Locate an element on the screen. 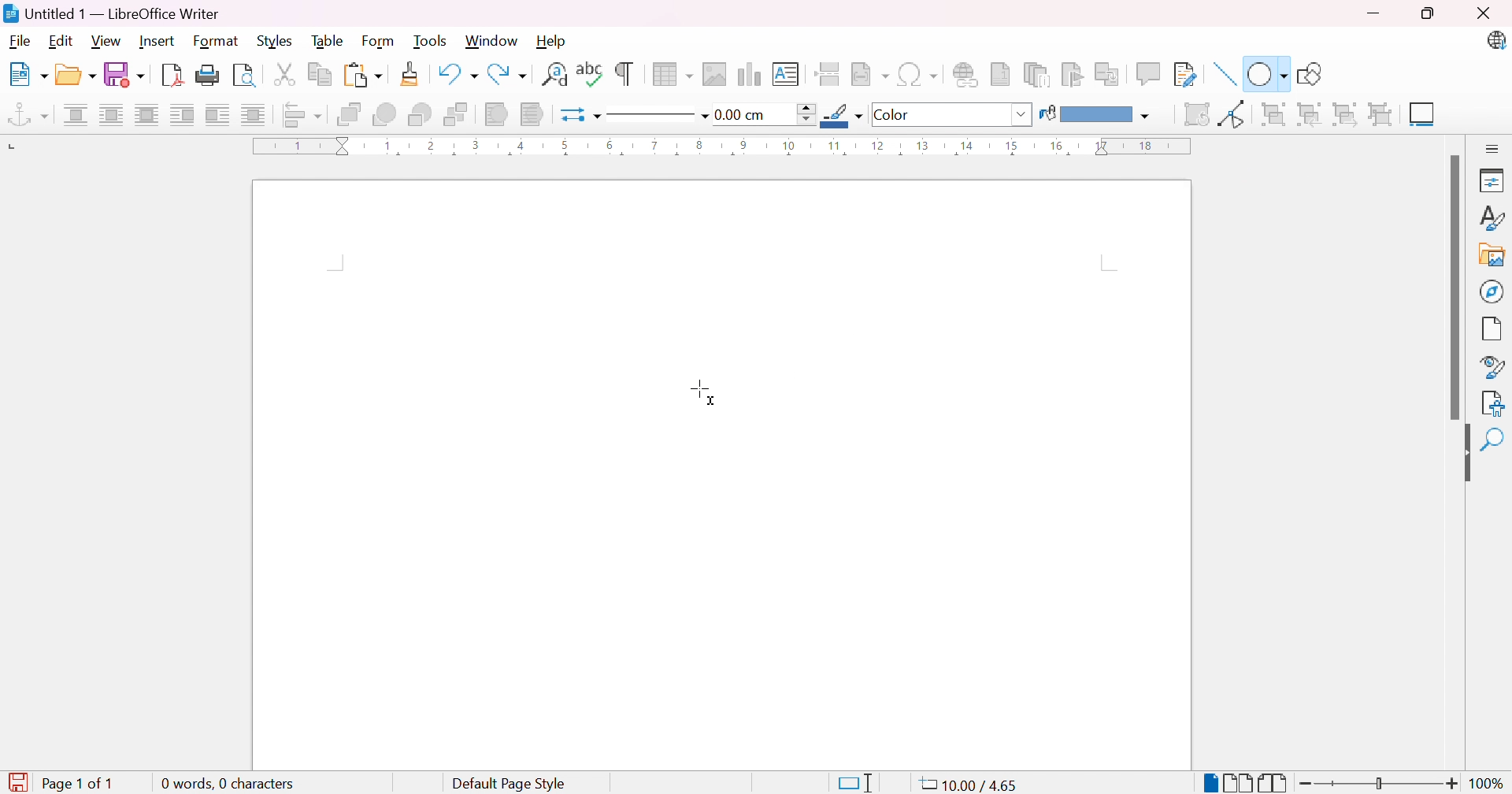 The width and height of the screenshot is (1512, 794). Align objects is located at coordinates (303, 116).